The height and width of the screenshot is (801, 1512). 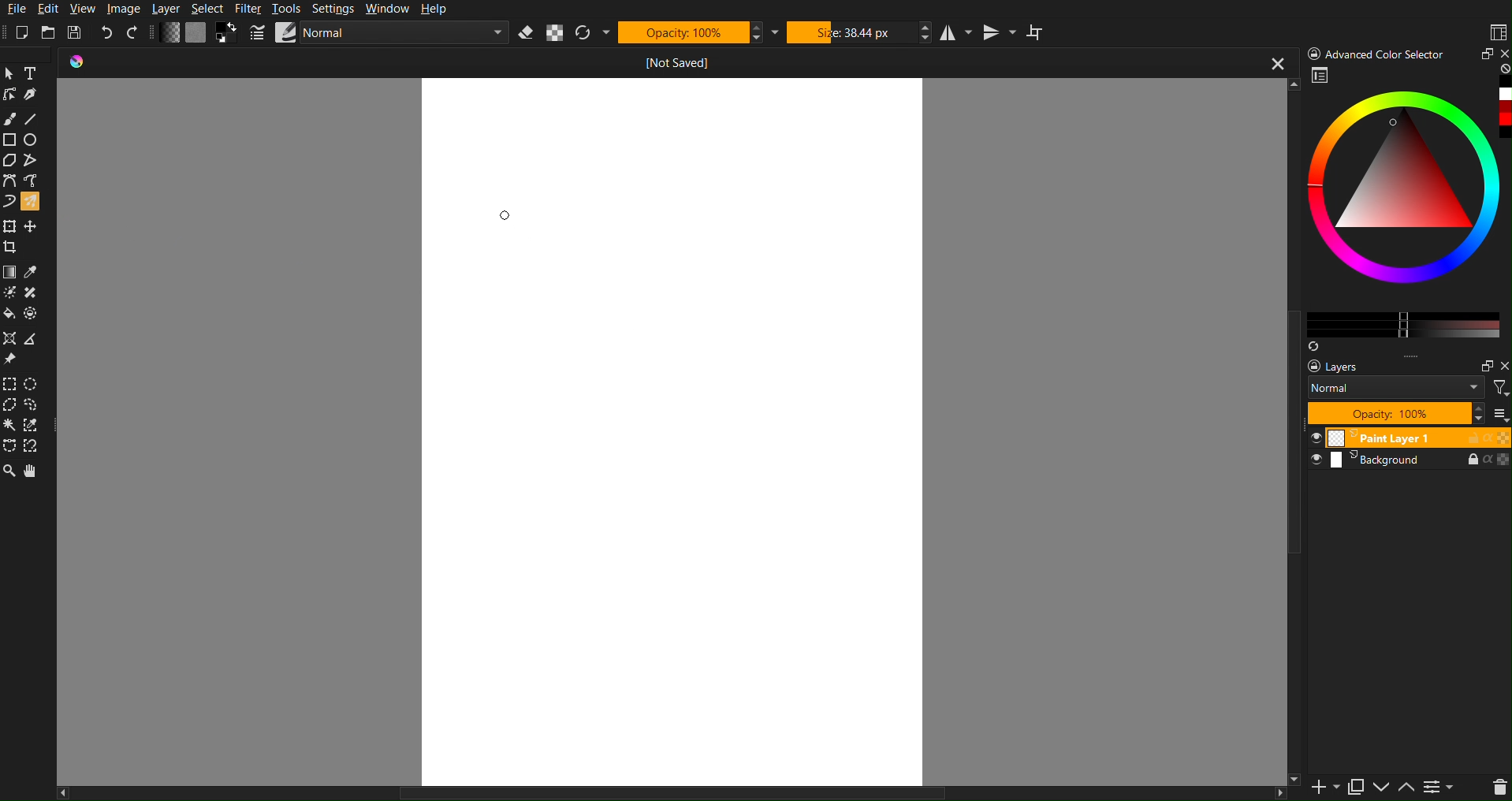 What do you see at coordinates (75, 31) in the screenshot?
I see `Save` at bounding box center [75, 31].